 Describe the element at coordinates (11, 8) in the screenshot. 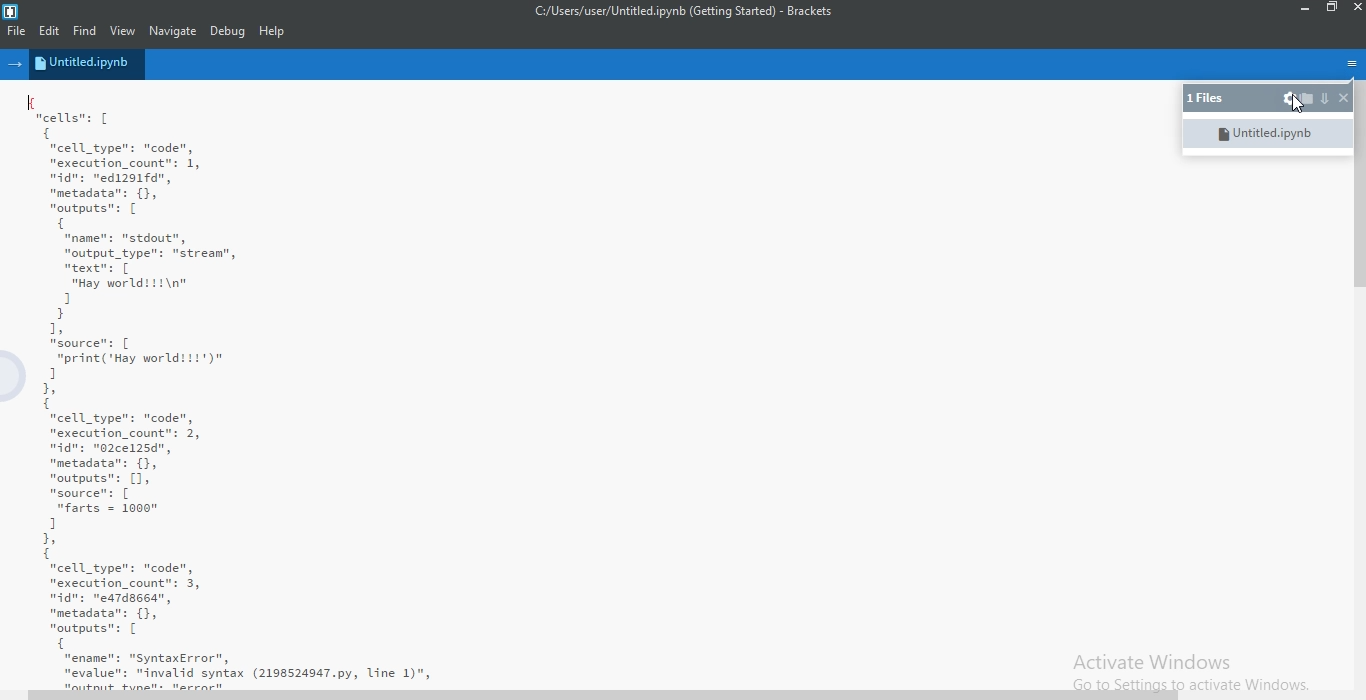

I see `logo` at that location.